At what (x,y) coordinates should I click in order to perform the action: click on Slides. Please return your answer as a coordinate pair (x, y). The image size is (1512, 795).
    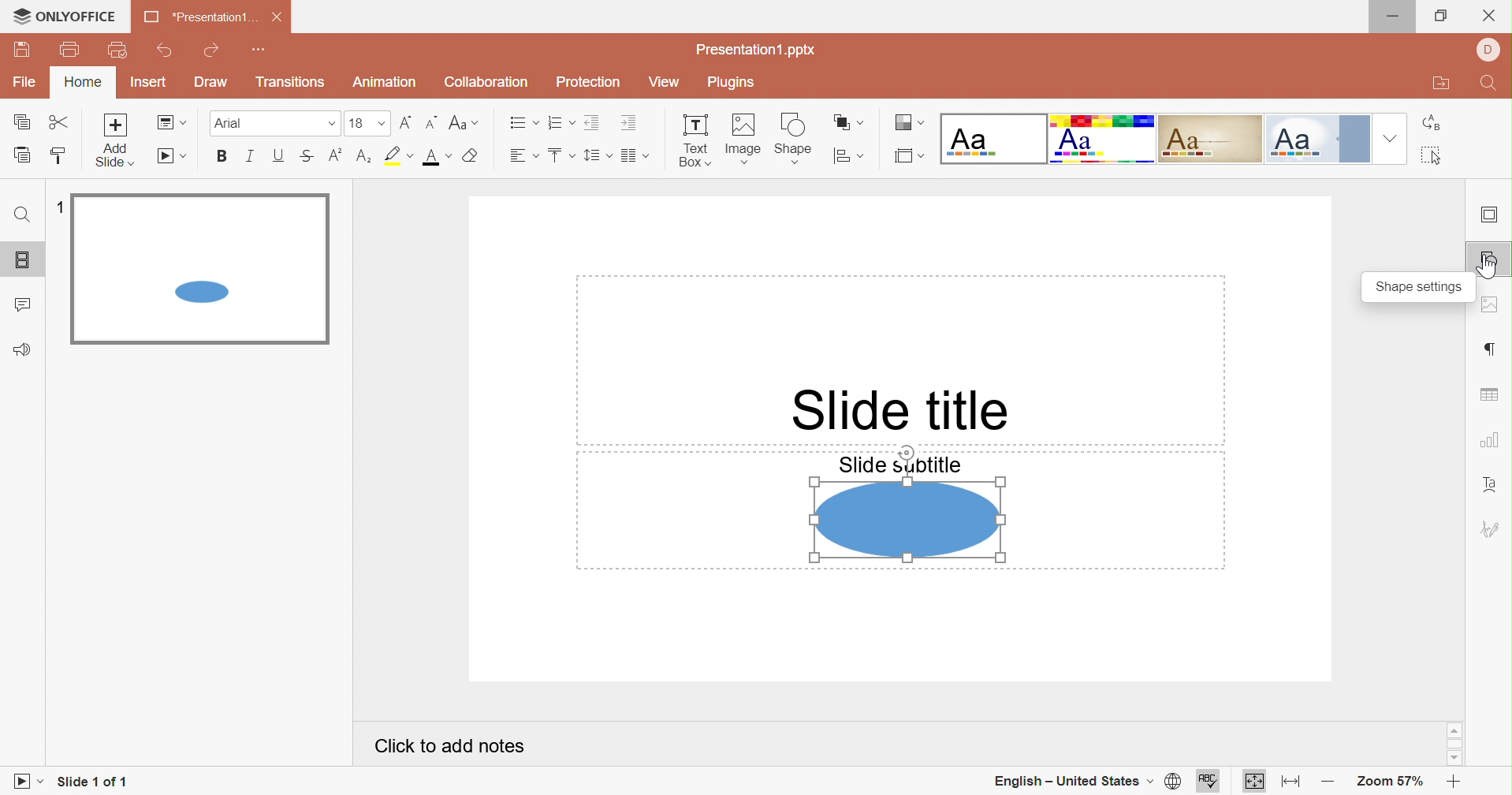
    Looking at the image, I should click on (23, 259).